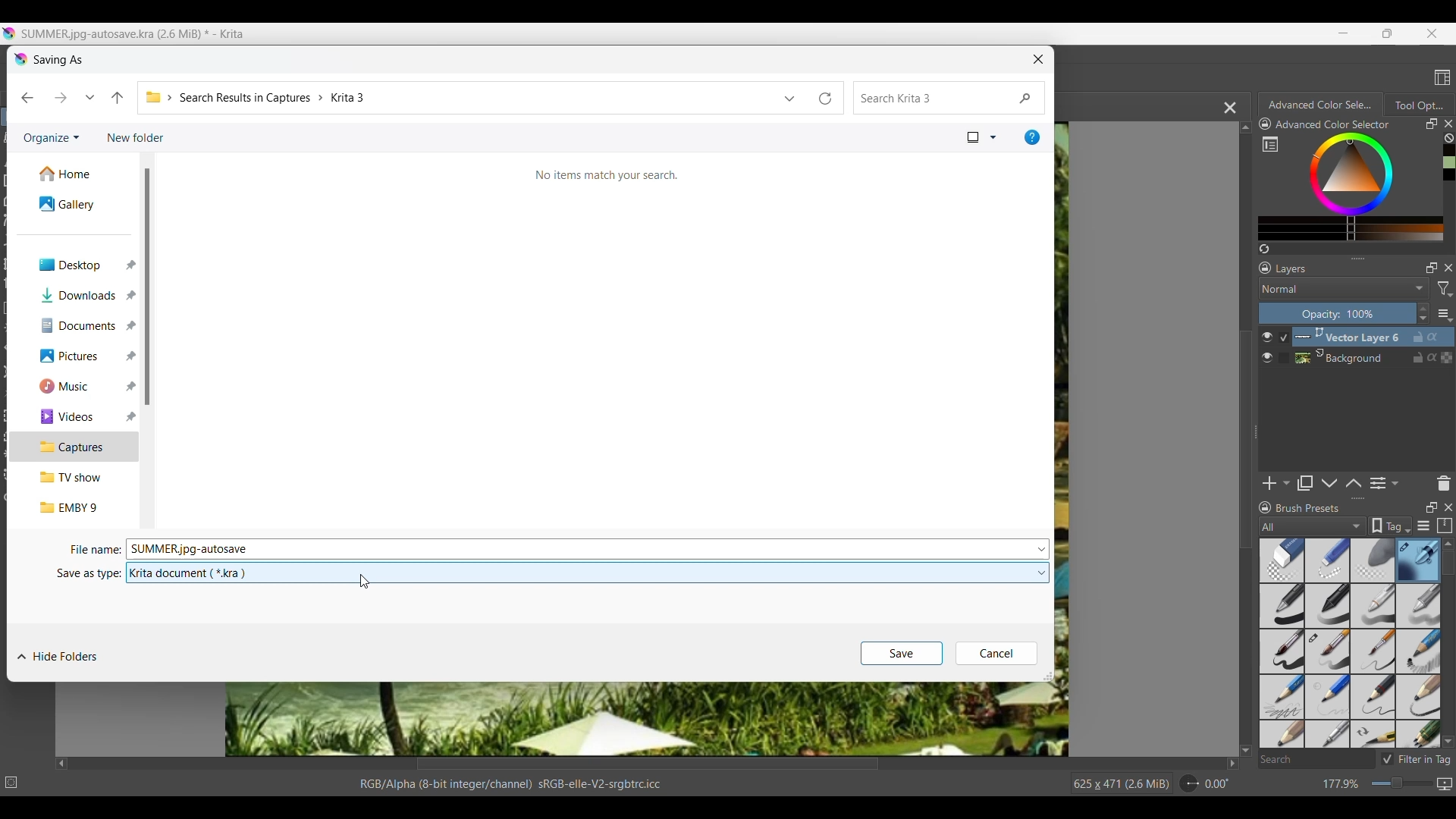 The height and width of the screenshot is (819, 1456). Describe the element at coordinates (1373, 357) in the screenshot. I see `Background layer` at that location.